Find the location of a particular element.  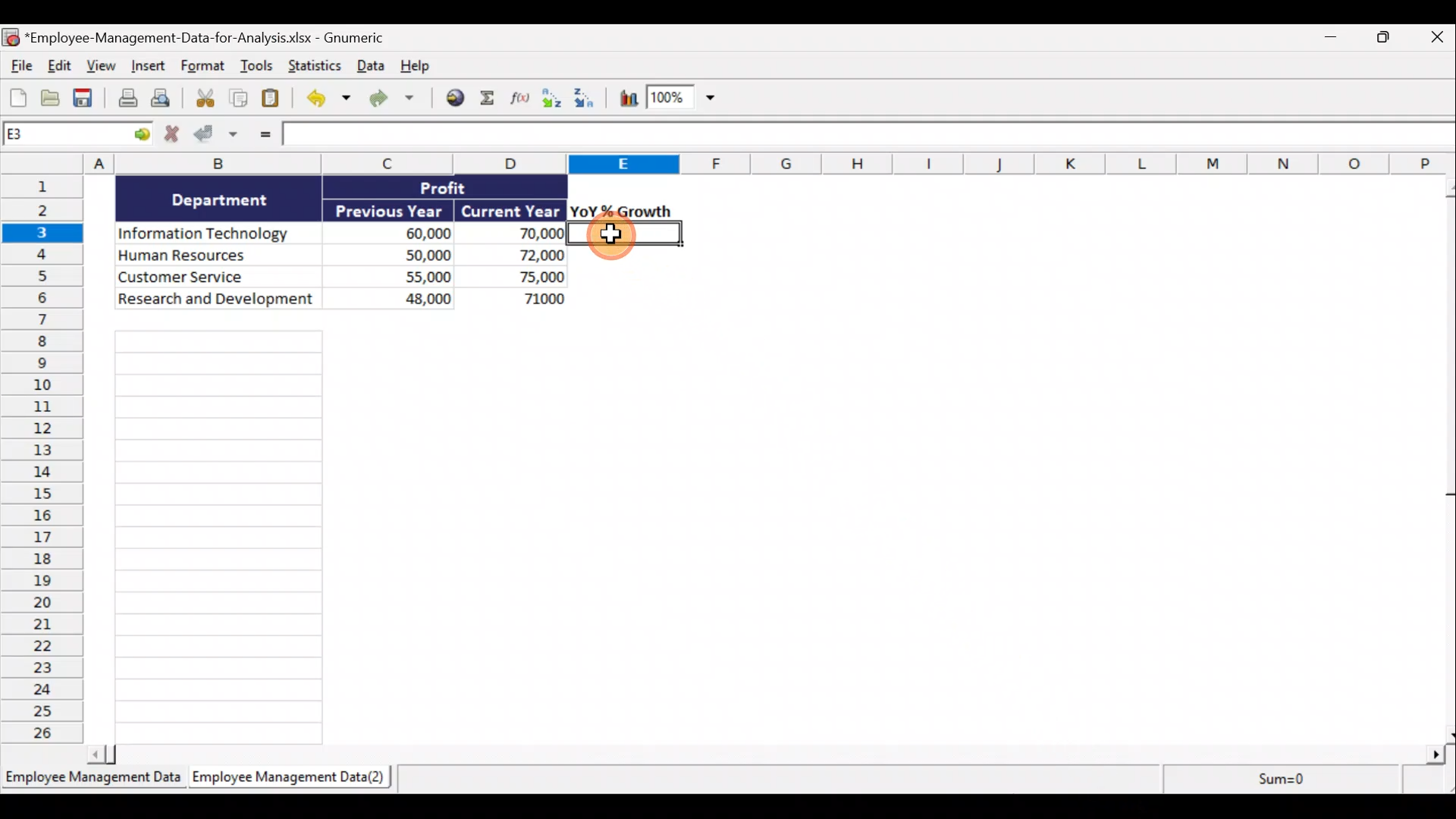

Print the current file is located at coordinates (126, 100).